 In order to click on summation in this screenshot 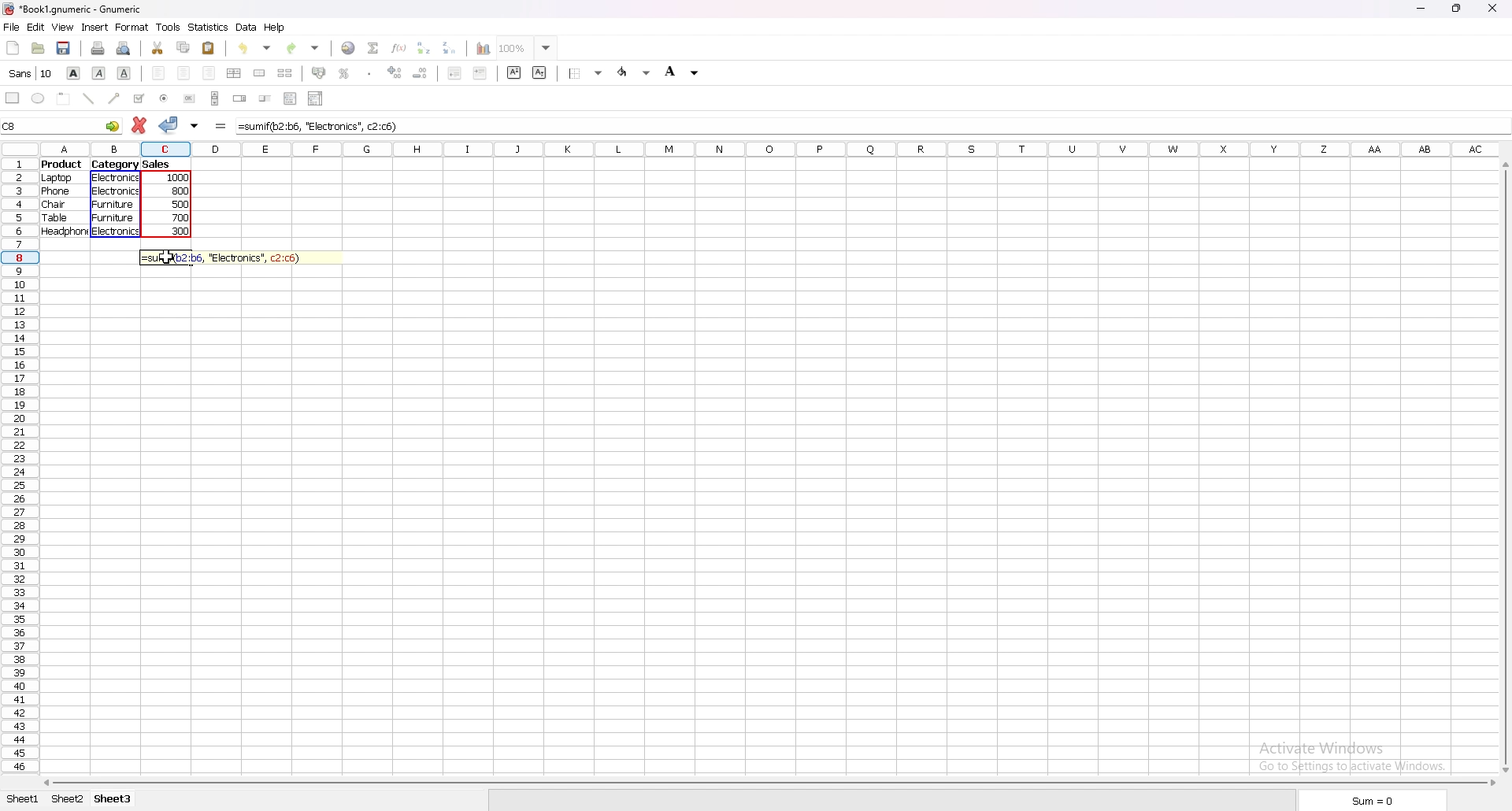, I will do `click(375, 47)`.